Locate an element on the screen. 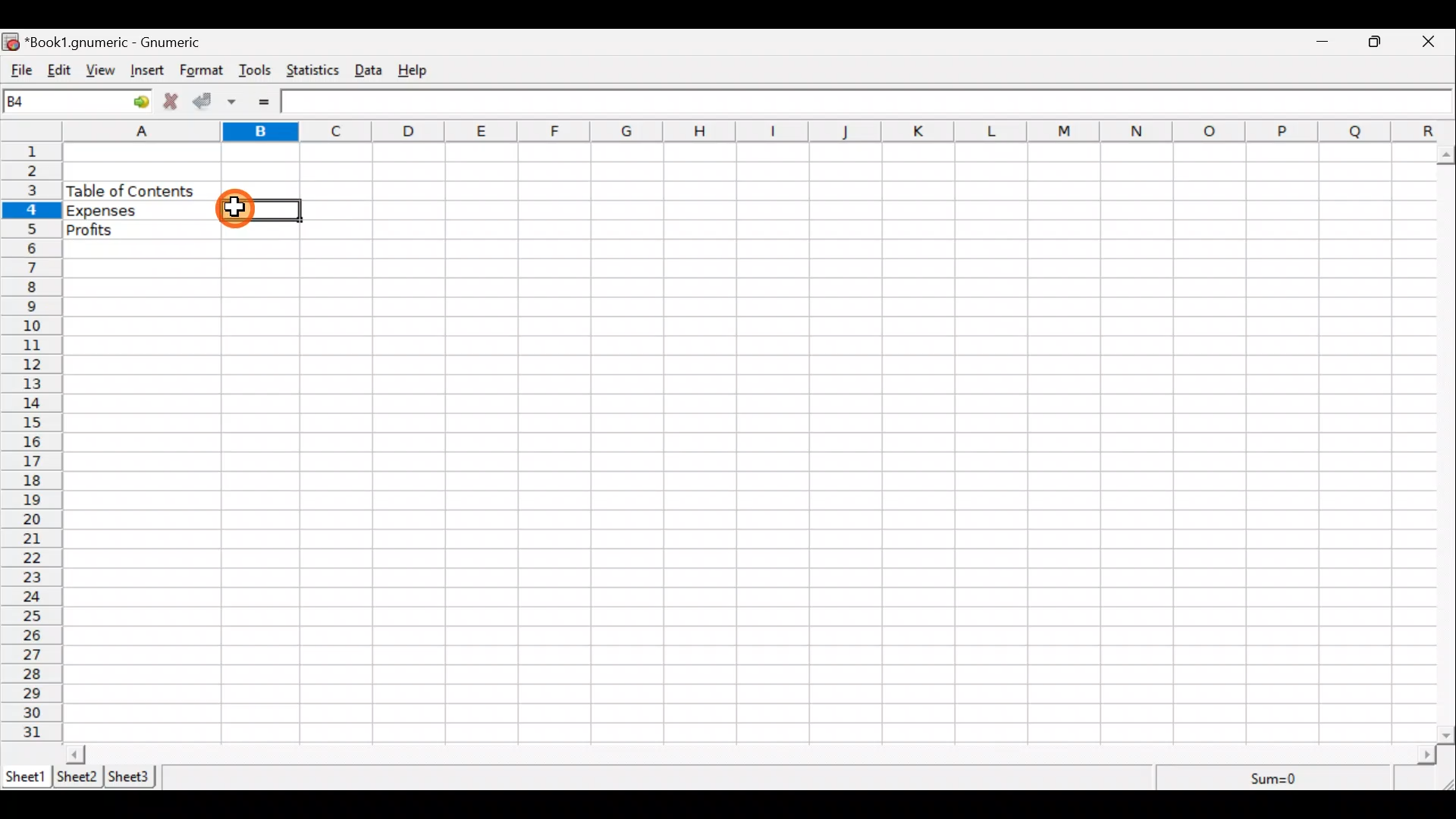  File is located at coordinates (19, 71).